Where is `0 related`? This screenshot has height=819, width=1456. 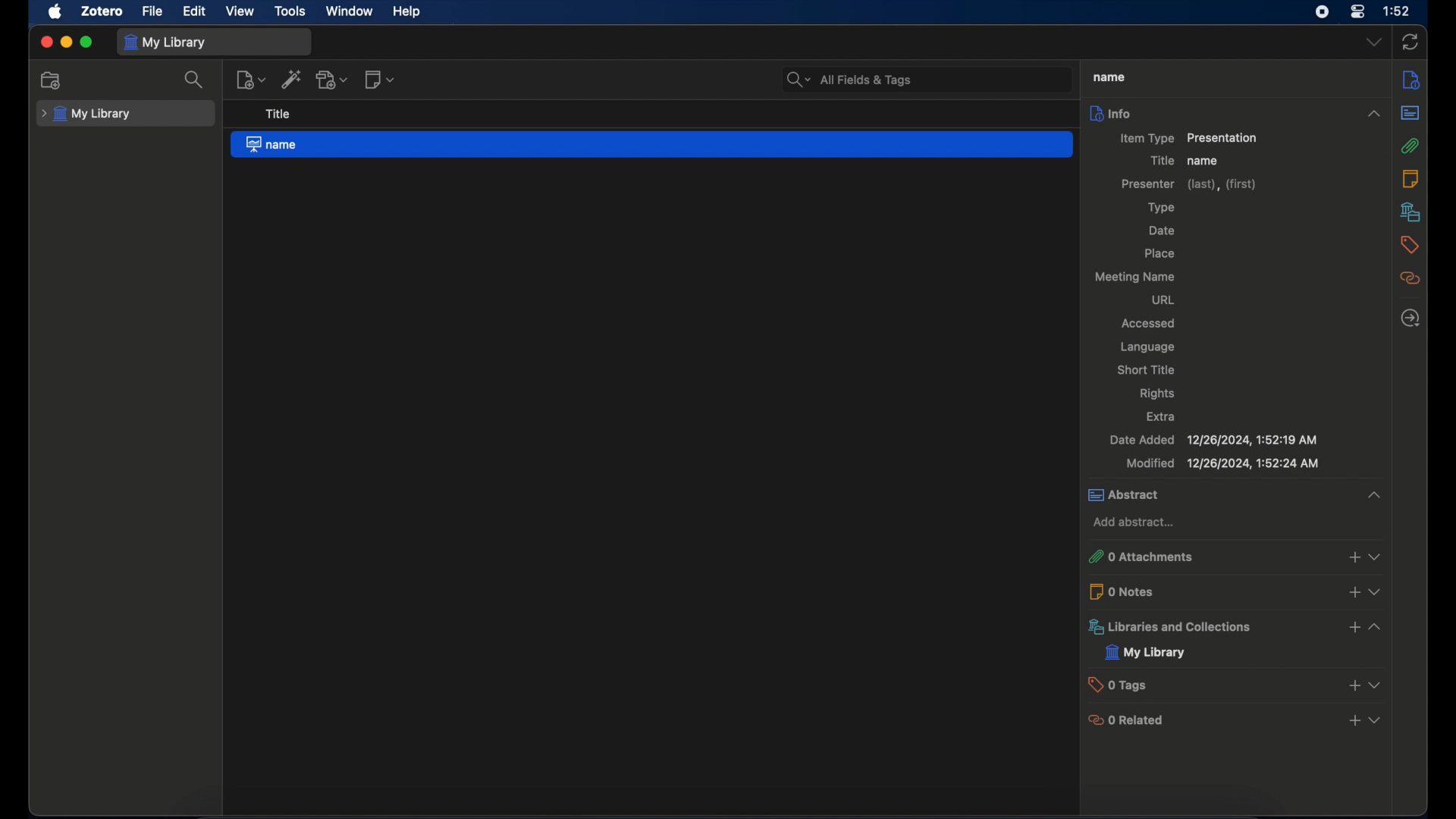 0 related is located at coordinates (1235, 719).